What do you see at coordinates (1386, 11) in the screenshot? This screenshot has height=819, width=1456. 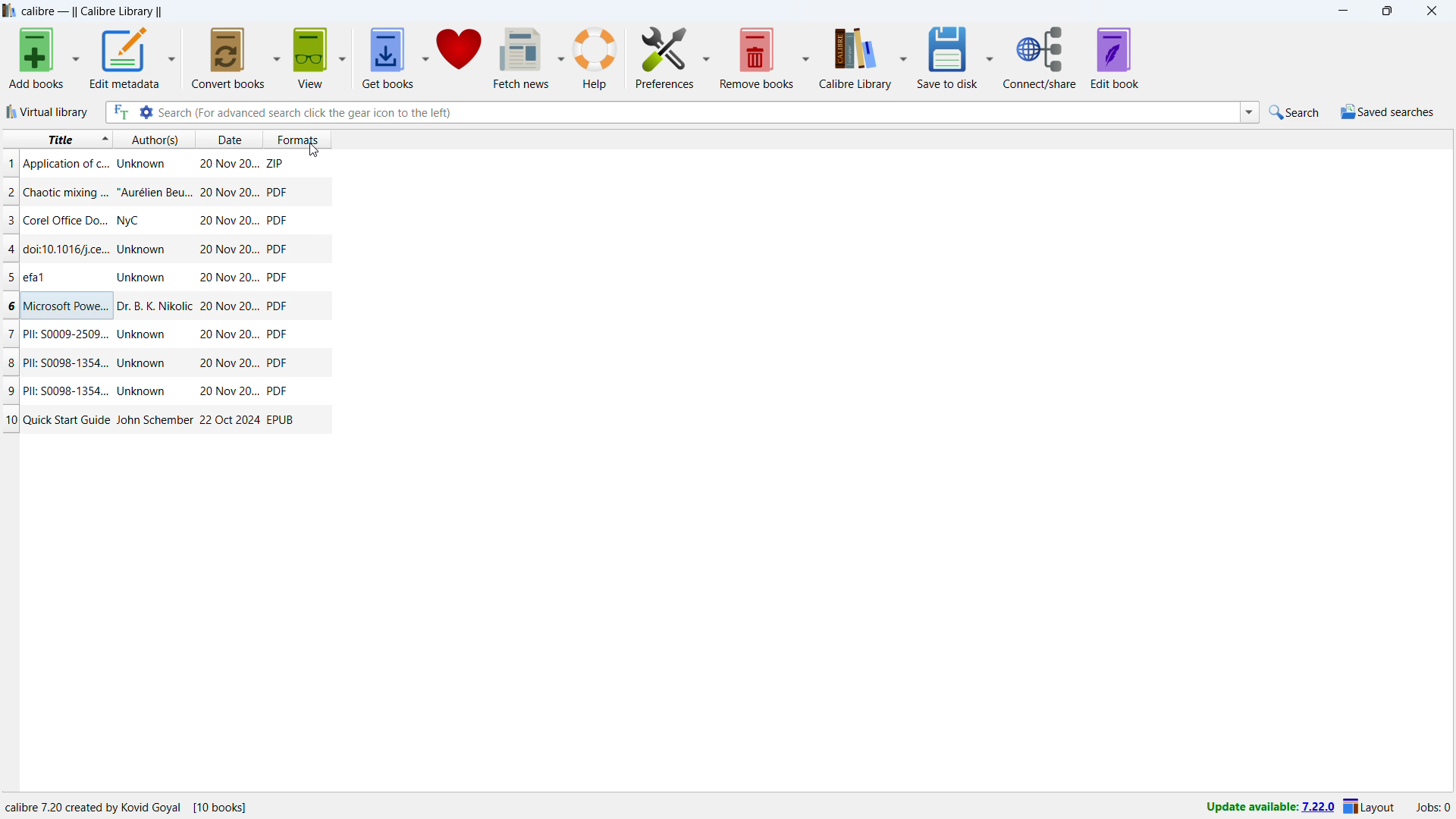 I see `maximize` at bounding box center [1386, 11].